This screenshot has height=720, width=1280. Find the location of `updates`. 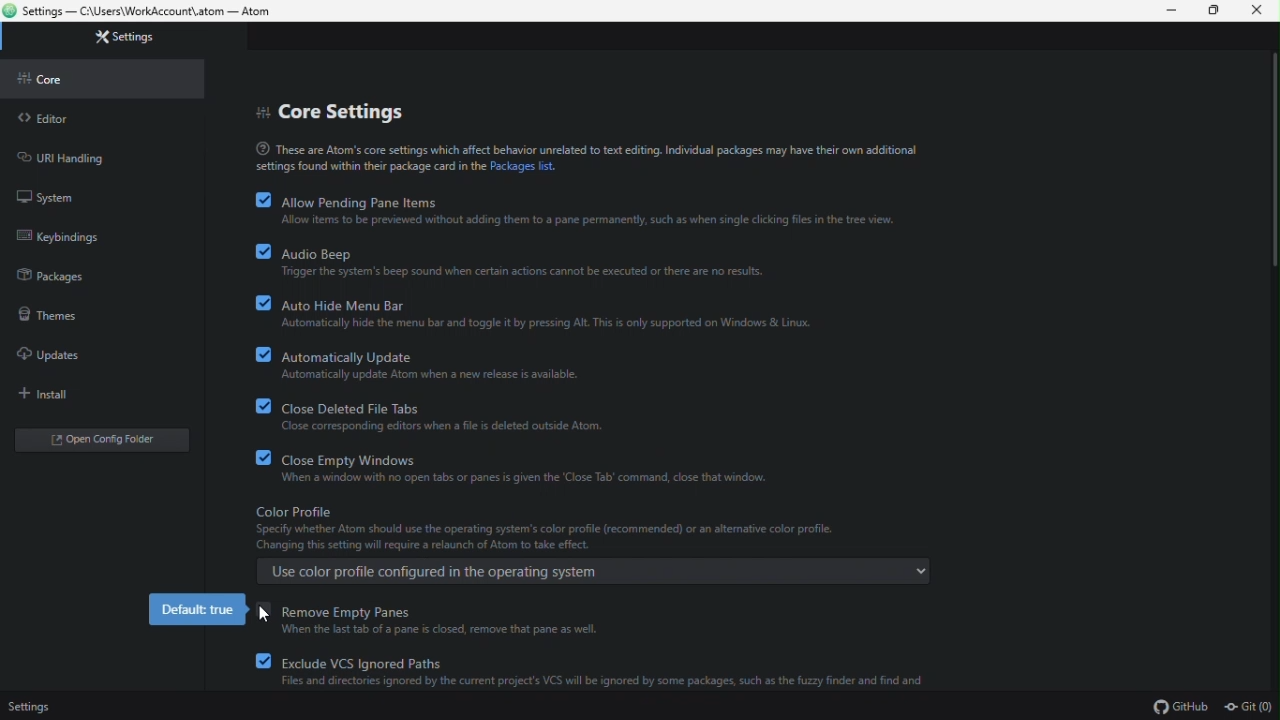

updates is located at coordinates (55, 355).